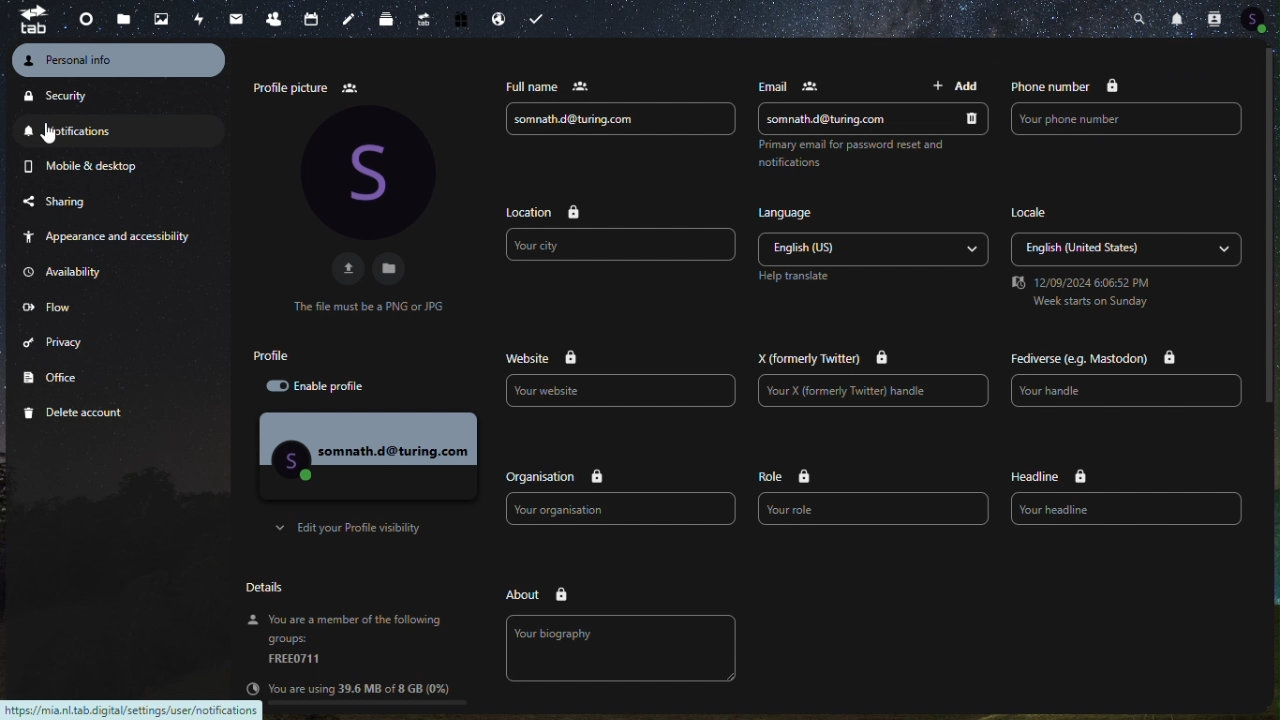  I want to click on note, so click(351, 17).